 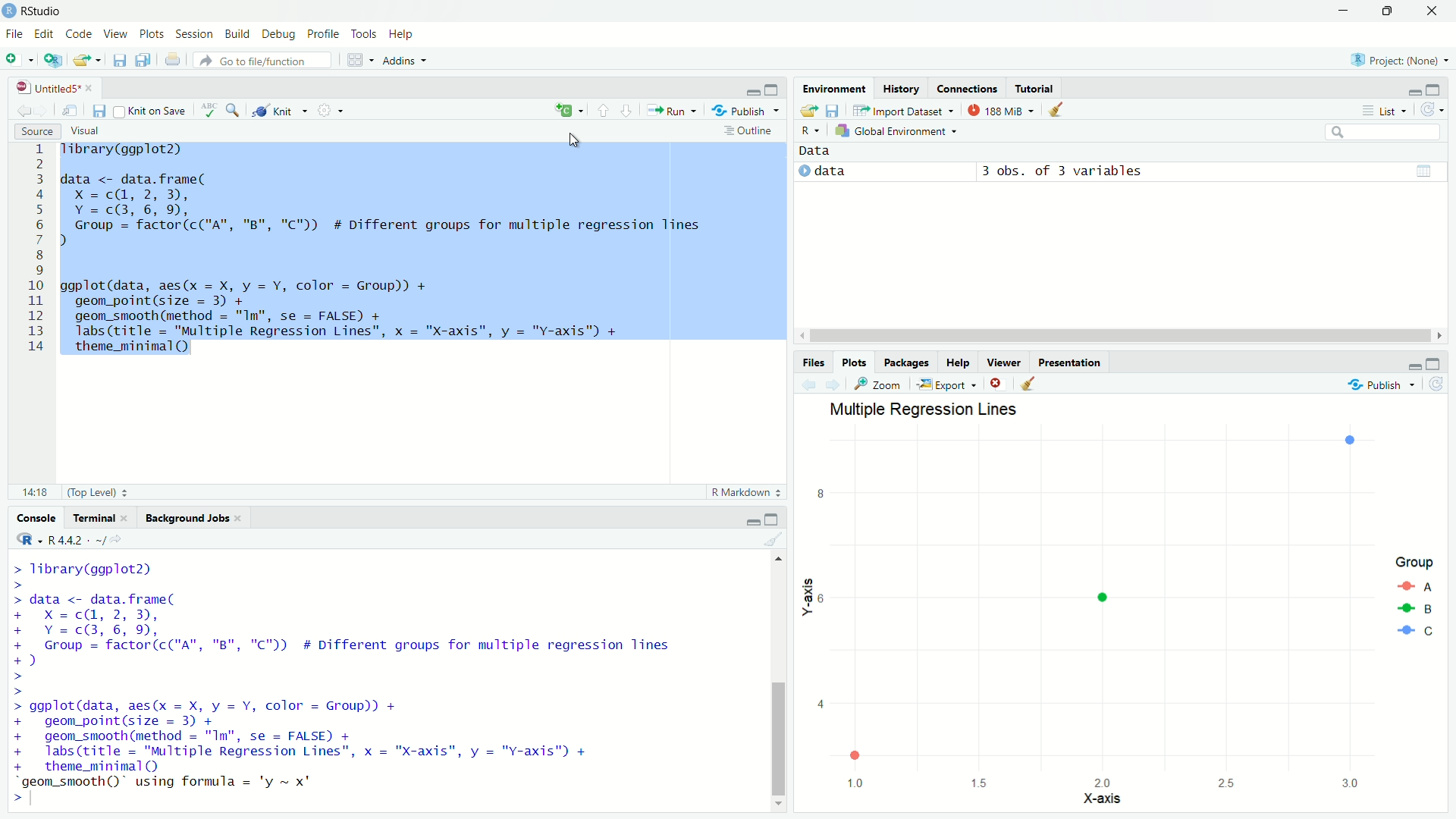 What do you see at coordinates (676, 110) in the screenshot?
I see `Run +` at bounding box center [676, 110].